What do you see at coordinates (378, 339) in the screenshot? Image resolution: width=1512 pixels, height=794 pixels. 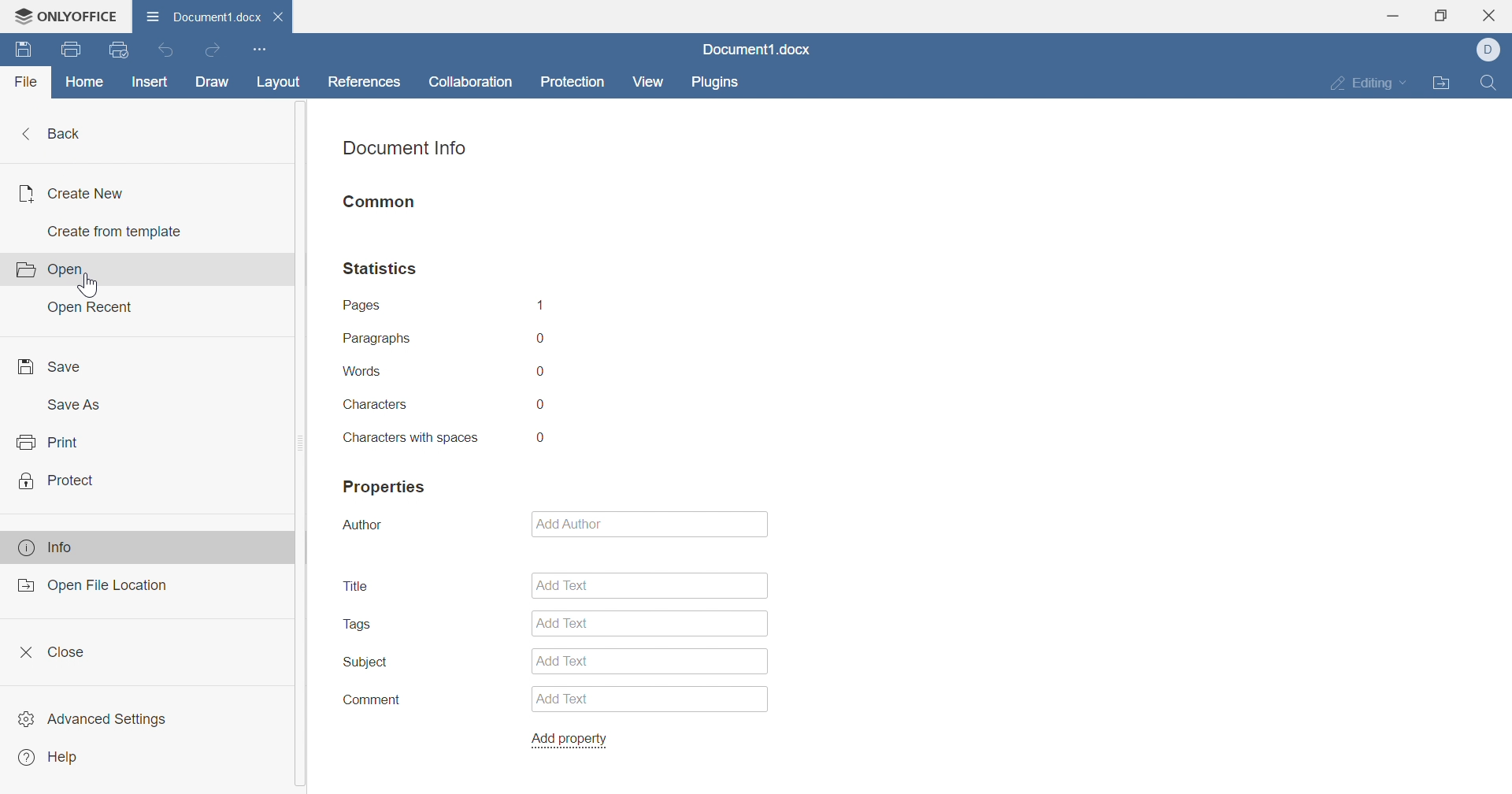 I see `paragraphs` at bounding box center [378, 339].